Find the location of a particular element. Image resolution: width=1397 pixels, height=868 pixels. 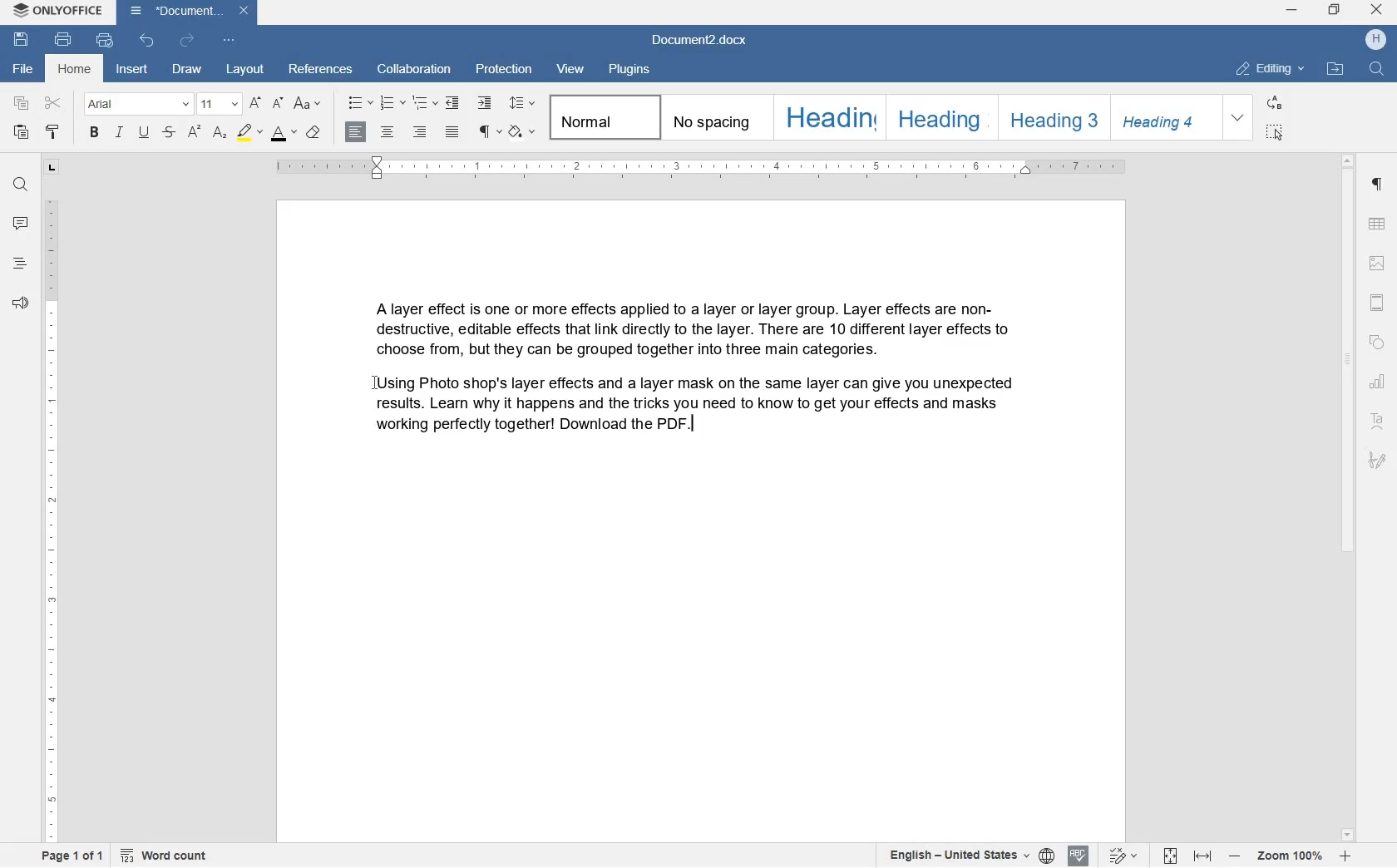

RIGHT ALIGNMENT is located at coordinates (420, 132).